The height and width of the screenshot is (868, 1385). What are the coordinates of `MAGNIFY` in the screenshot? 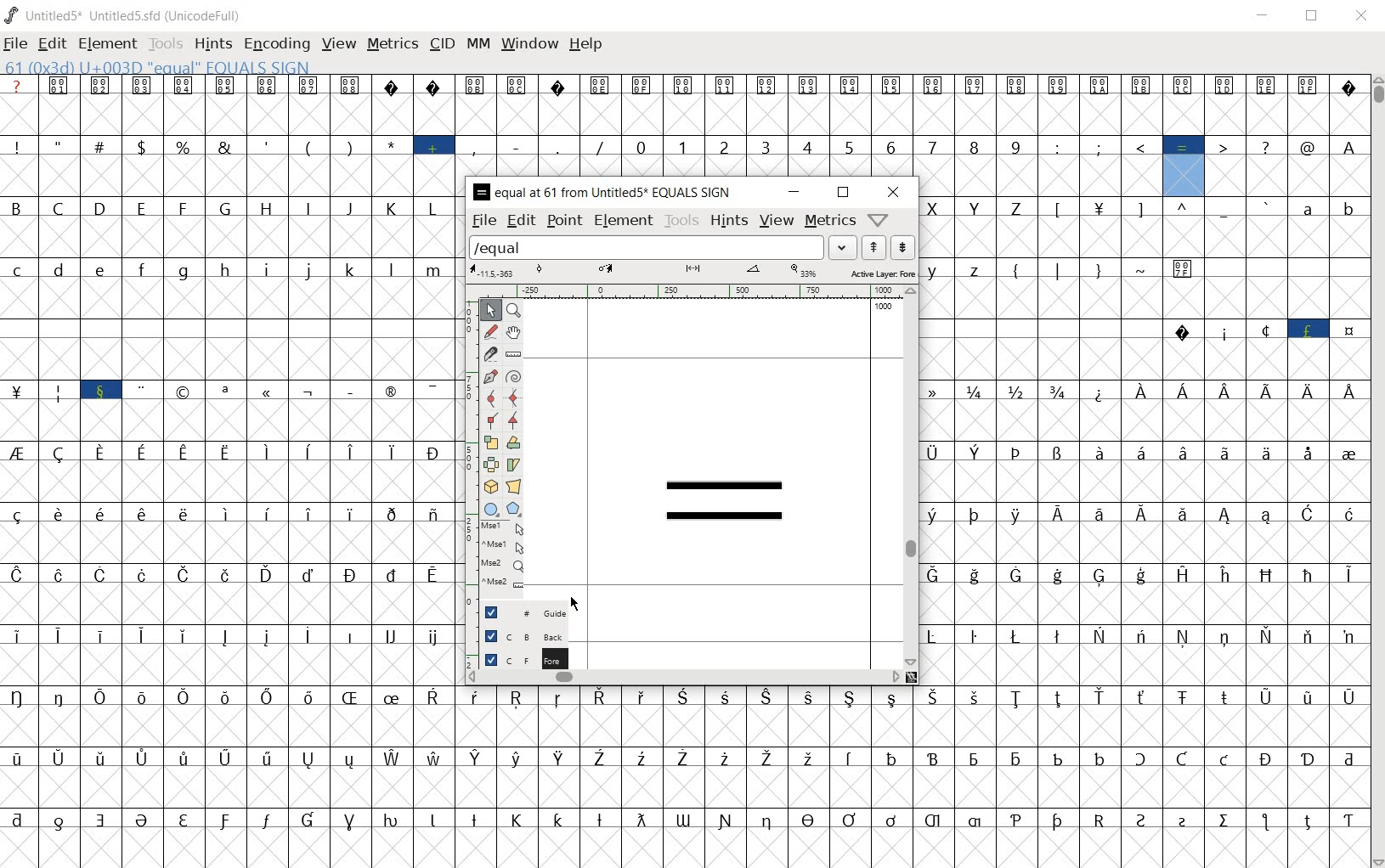 It's located at (513, 309).